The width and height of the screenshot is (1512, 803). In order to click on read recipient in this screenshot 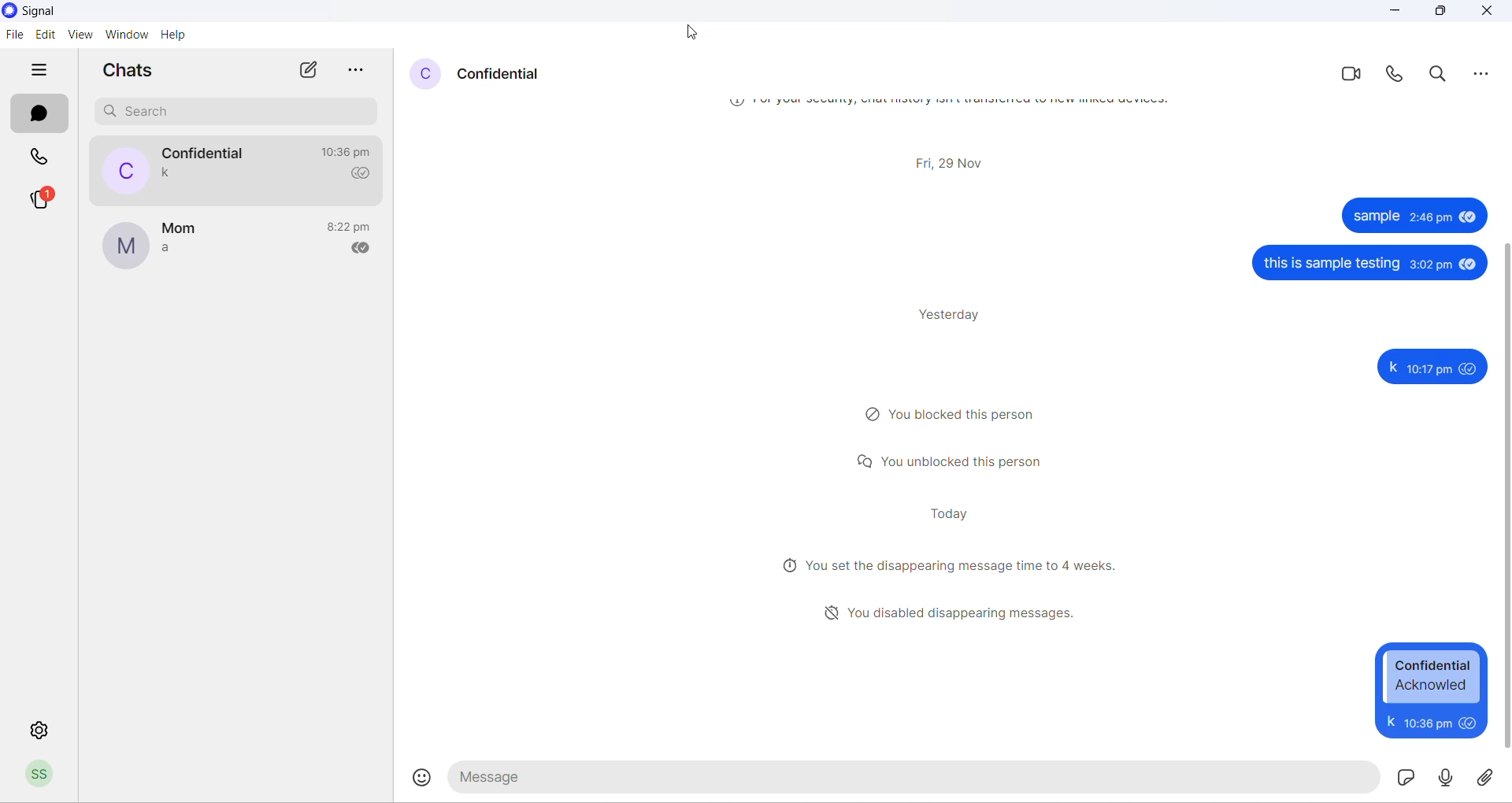, I will do `click(366, 250)`.